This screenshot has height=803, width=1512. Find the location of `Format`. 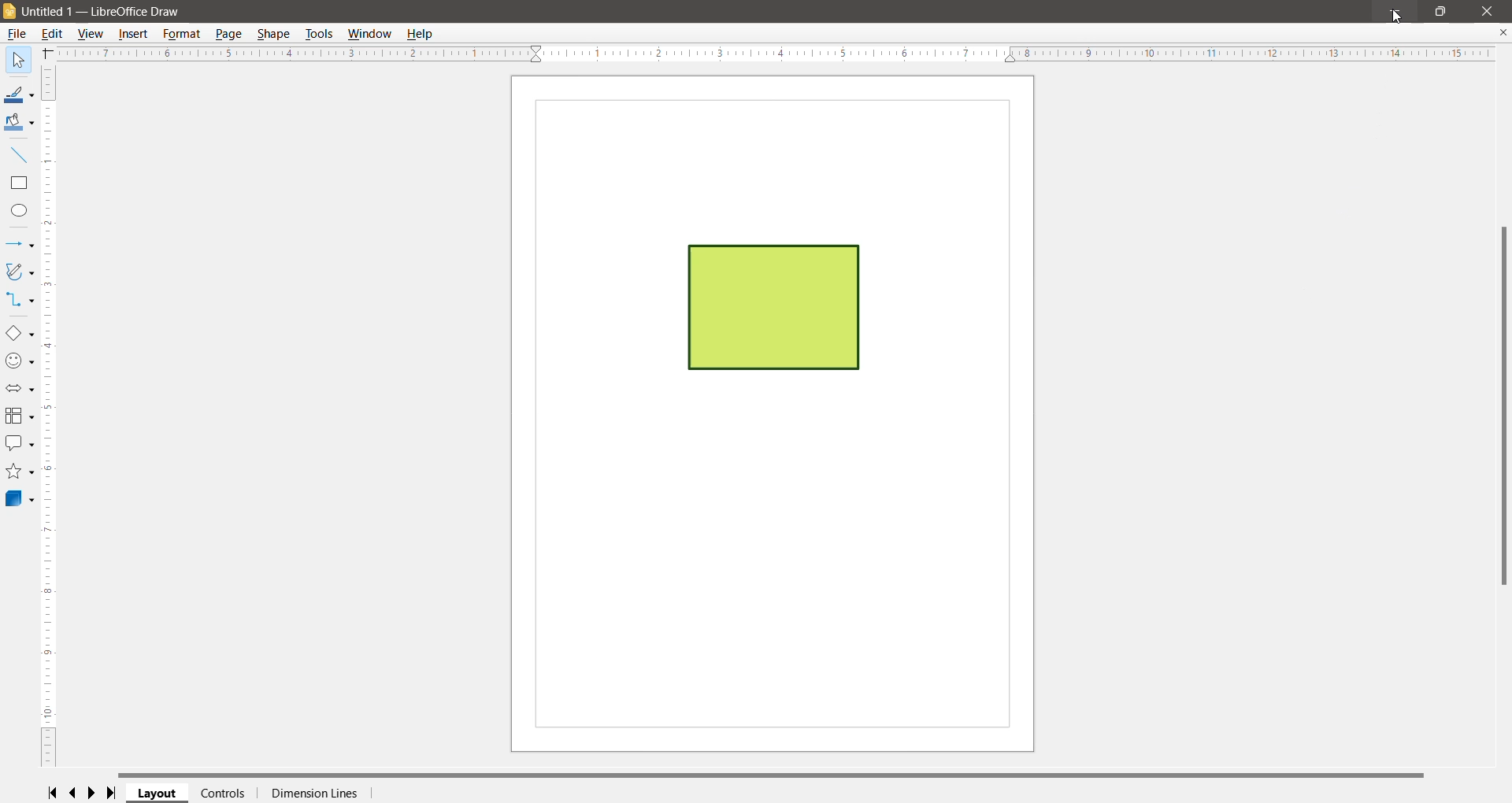

Format is located at coordinates (183, 34).